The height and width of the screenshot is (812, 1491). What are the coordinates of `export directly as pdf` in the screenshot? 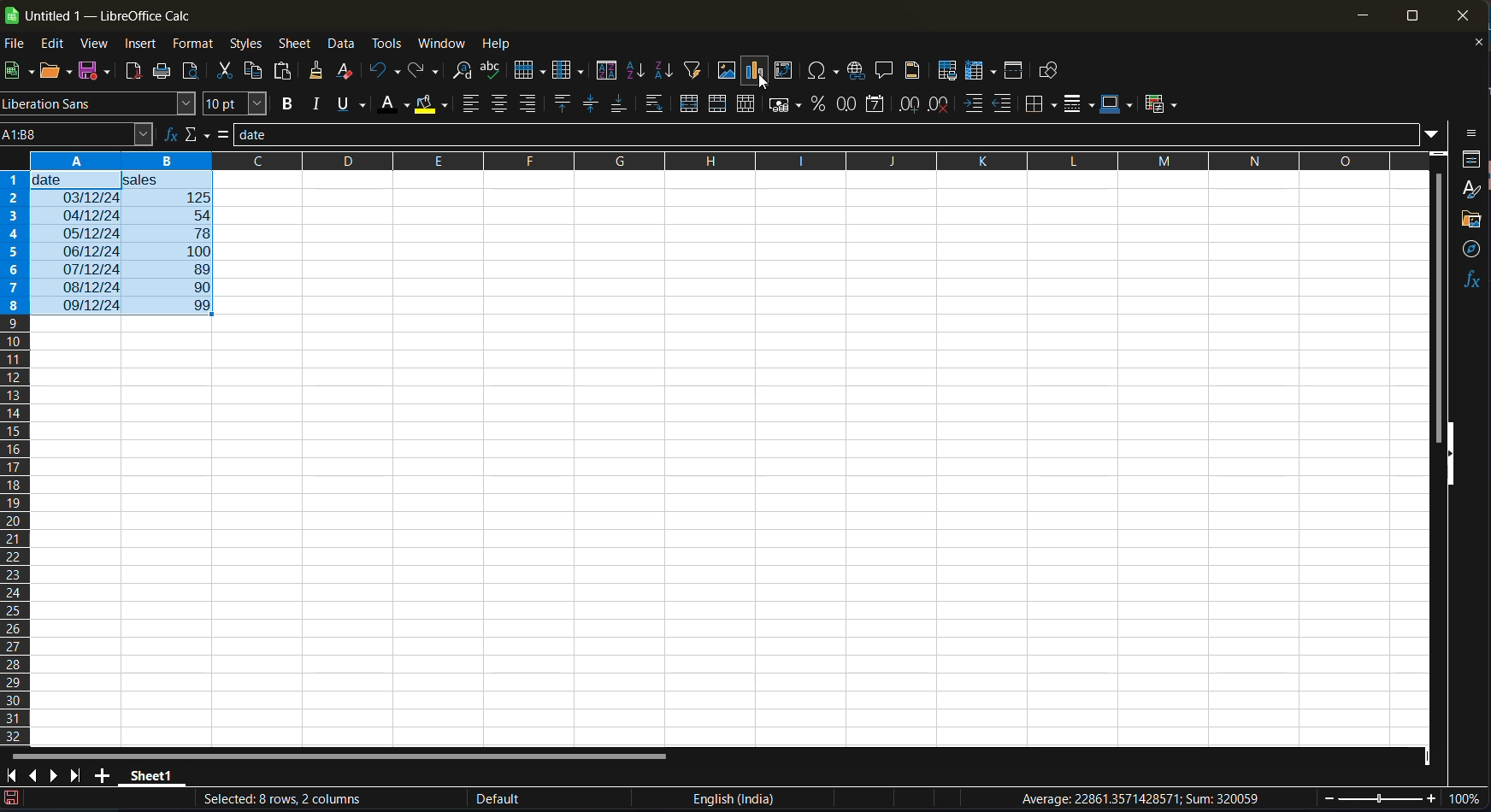 It's located at (134, 72).